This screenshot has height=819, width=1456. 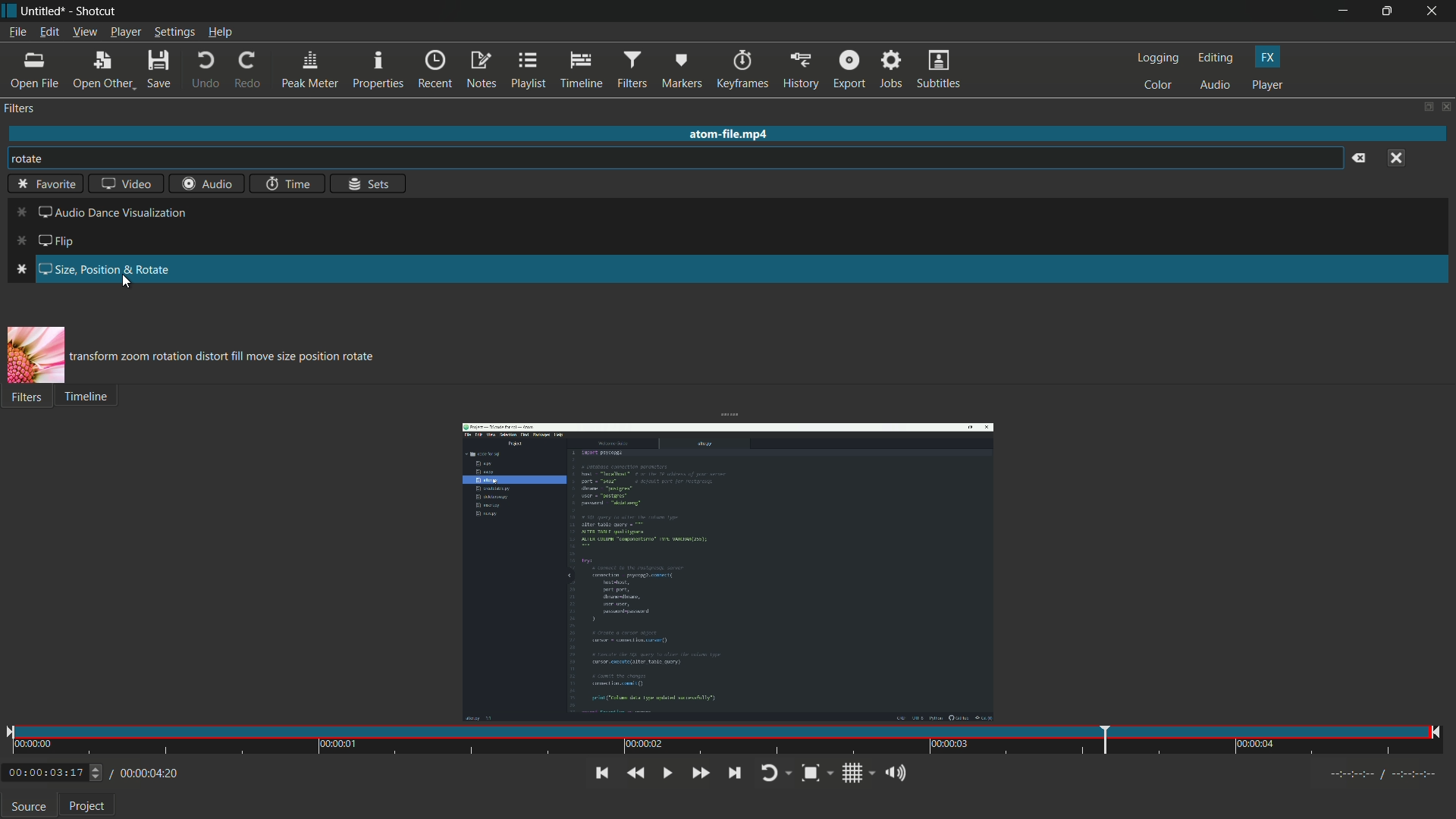 I want to click on properties, so click(x=377, y=71).